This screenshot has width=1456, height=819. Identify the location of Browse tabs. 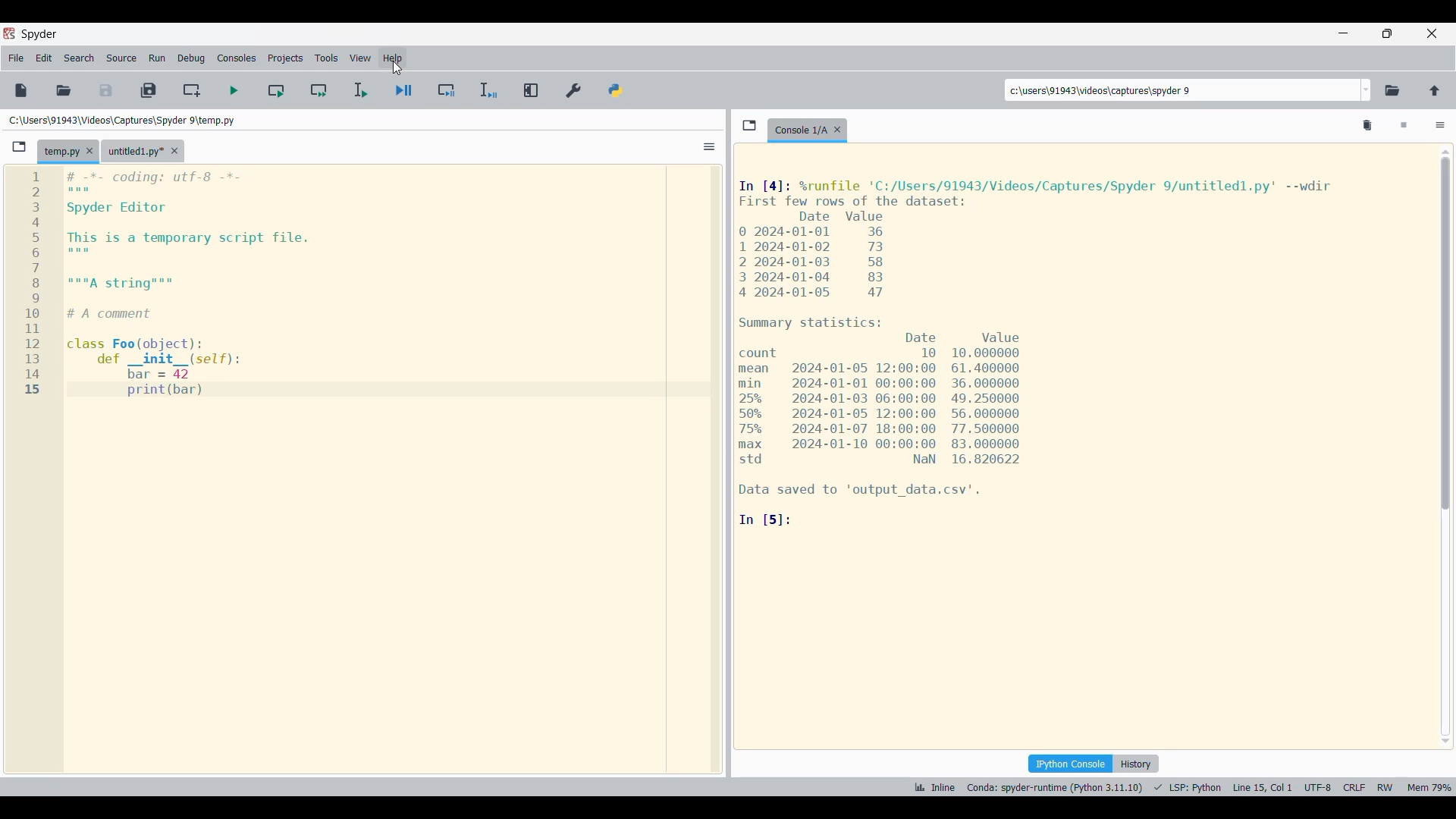
(750, 125).